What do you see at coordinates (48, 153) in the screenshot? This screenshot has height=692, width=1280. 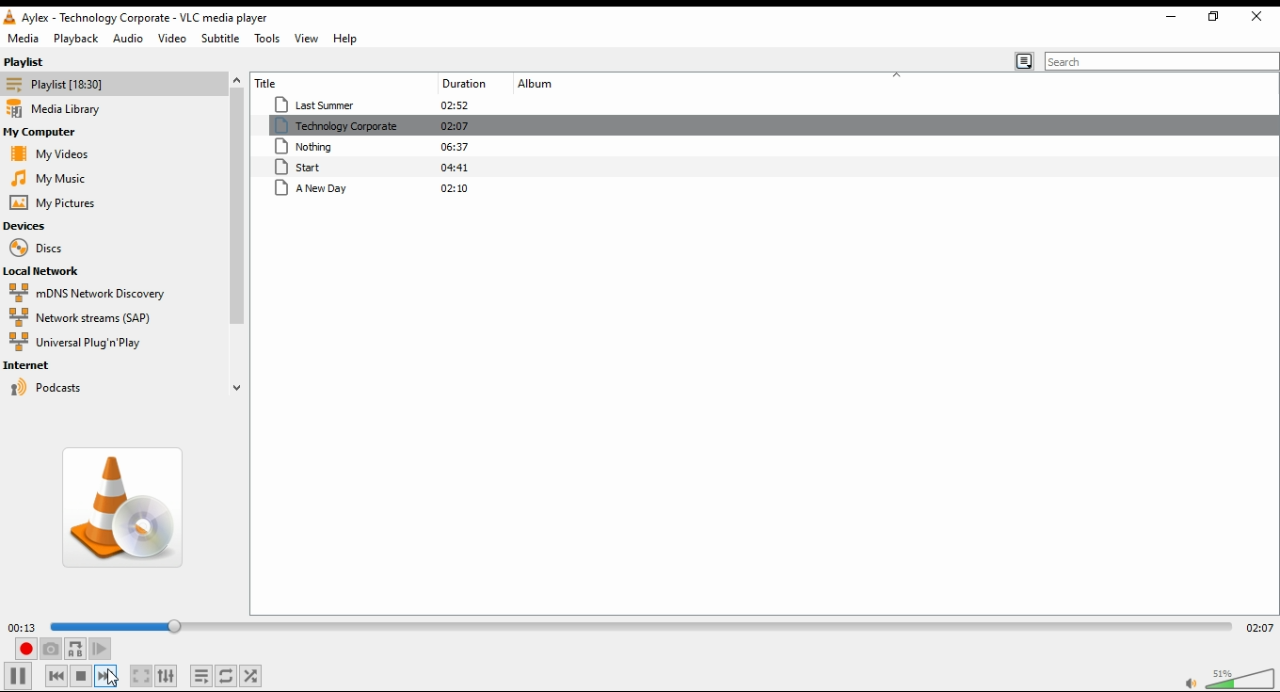 I see `my videos` at bounding box center [48, 153].